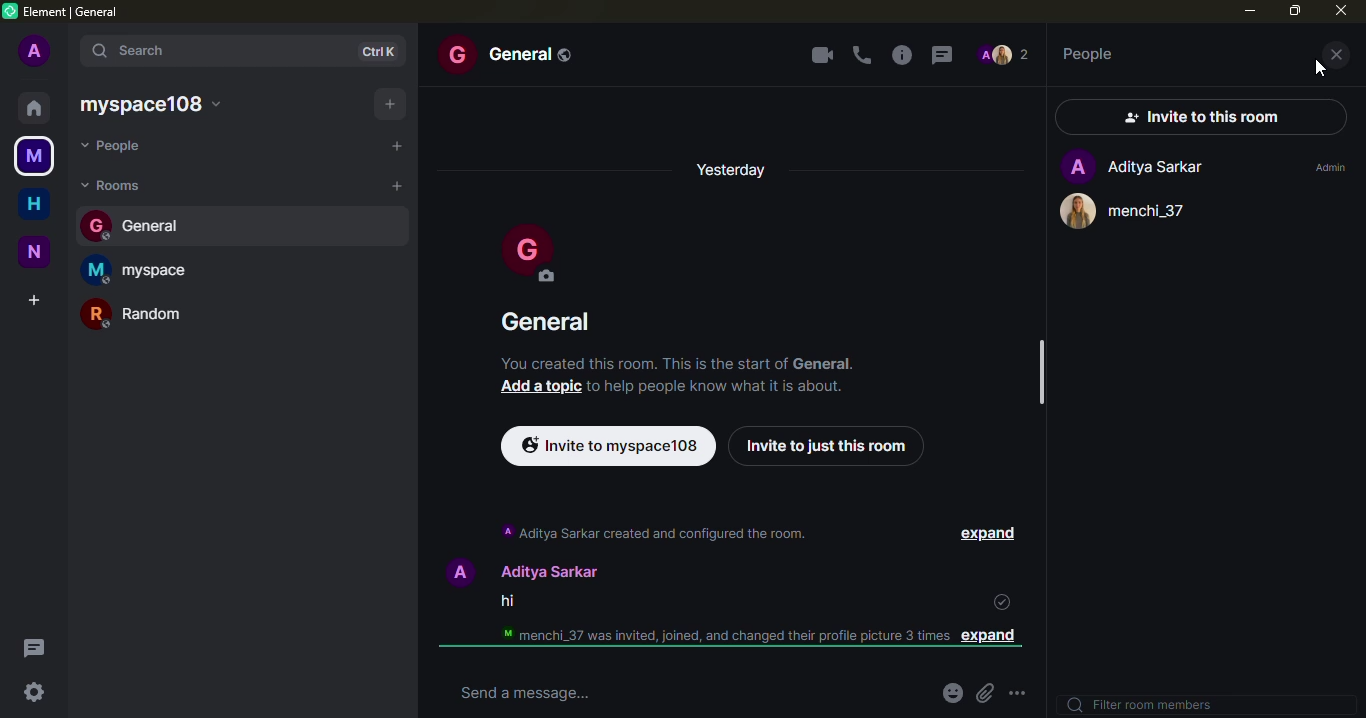 The image size is (1366, 718). What do you see at coordinates (36, 252) in the screenshot?
I see `new` at bounding box center [36, 252].